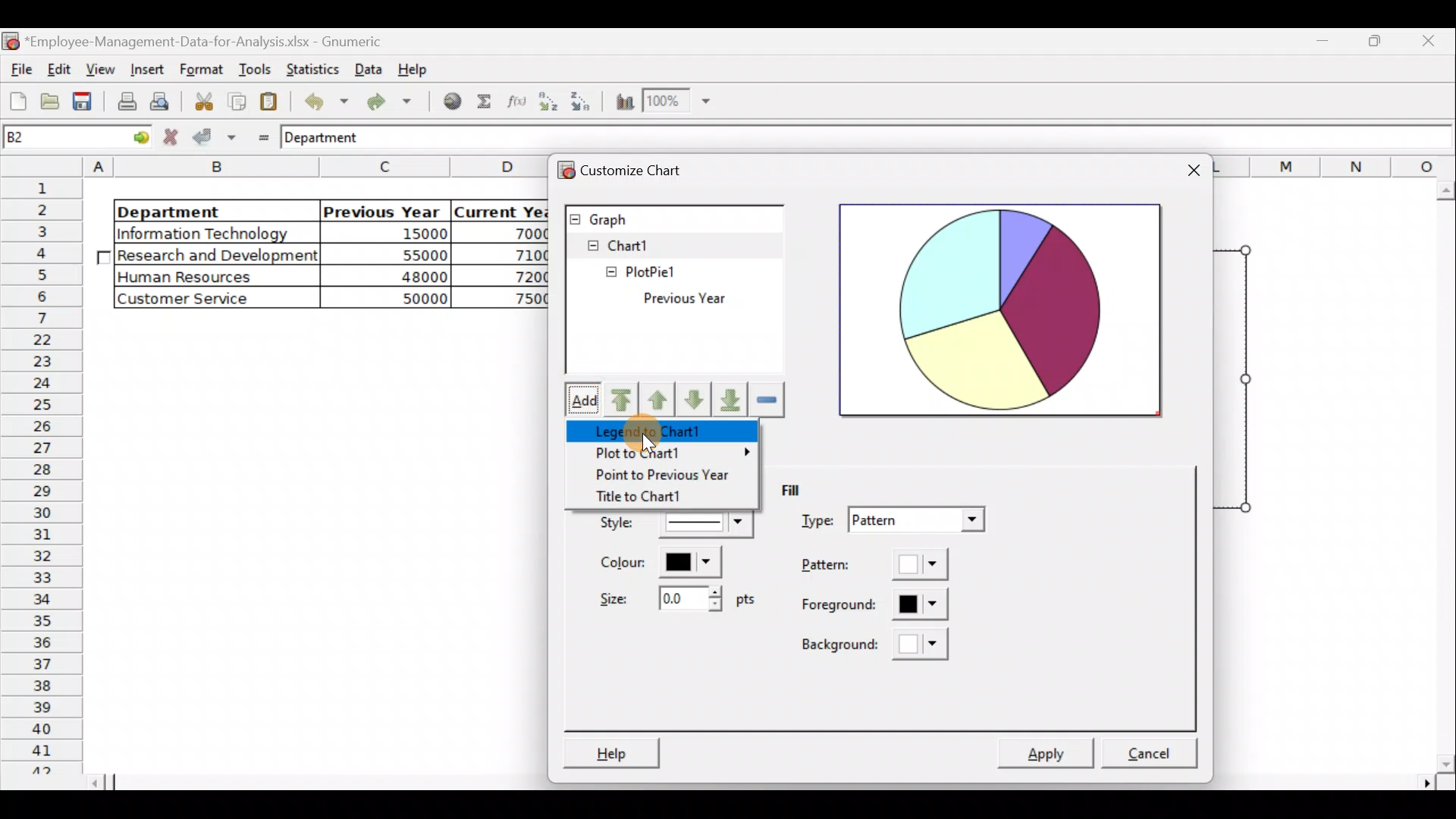  What do you see at coordinates (163, 101) in the screenshot?
I see `Print preview` at bounding box center [163, 101].